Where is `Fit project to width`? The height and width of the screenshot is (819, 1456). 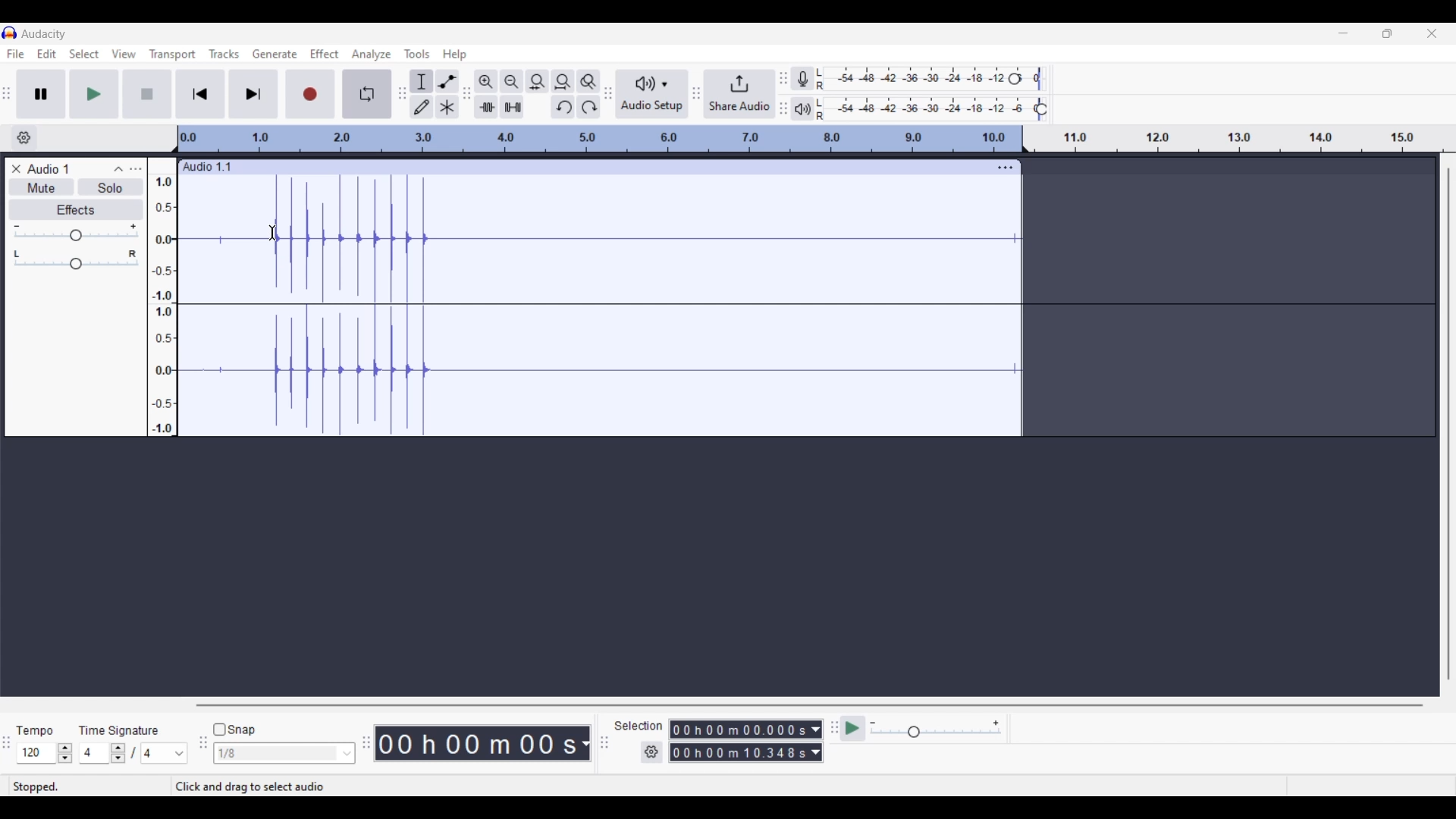
Fit project to width is located at coordinates (563, 81).